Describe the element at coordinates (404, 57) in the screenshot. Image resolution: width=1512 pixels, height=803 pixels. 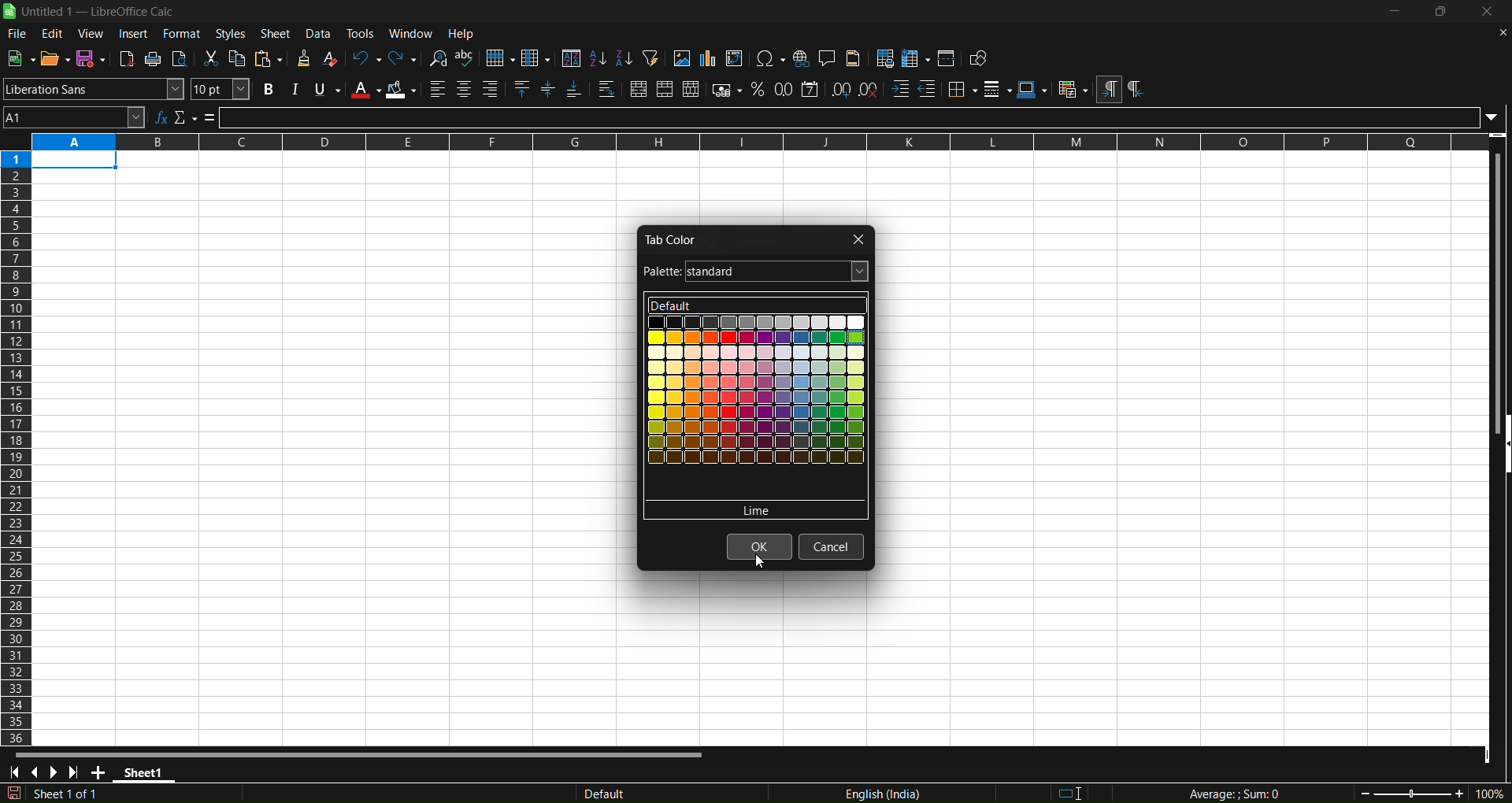
I see `redo` at that location.